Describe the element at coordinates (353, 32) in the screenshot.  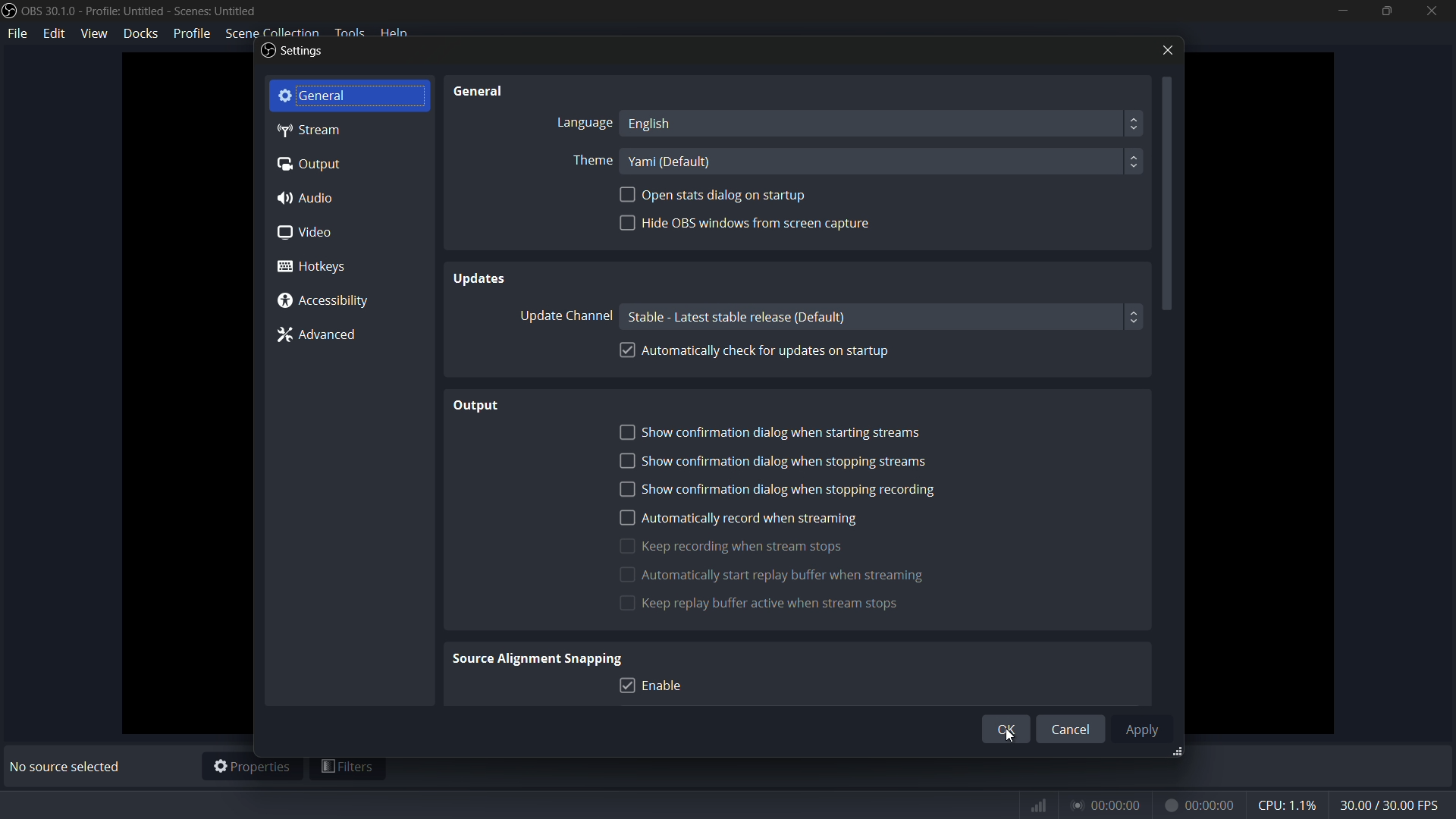
I see `tools` at that location.